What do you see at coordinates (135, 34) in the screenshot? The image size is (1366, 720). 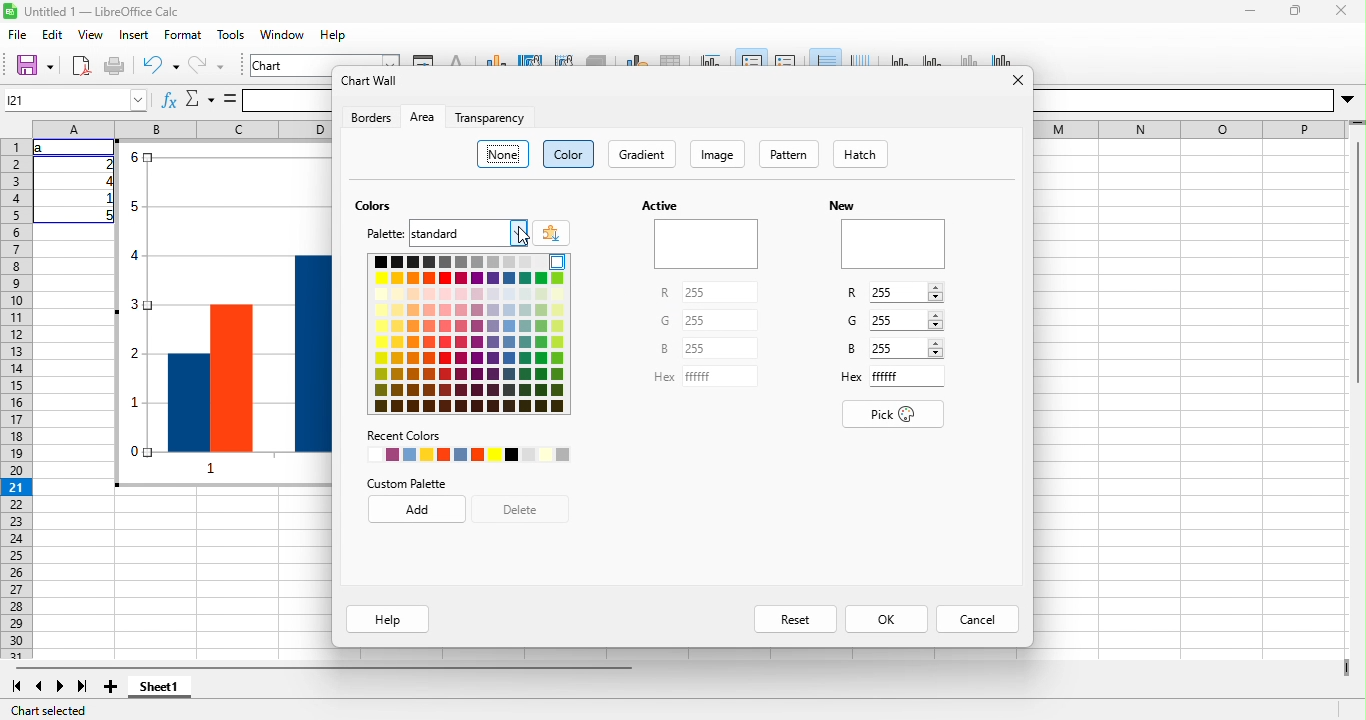 I see `insert` at bounding box center [135, 34].